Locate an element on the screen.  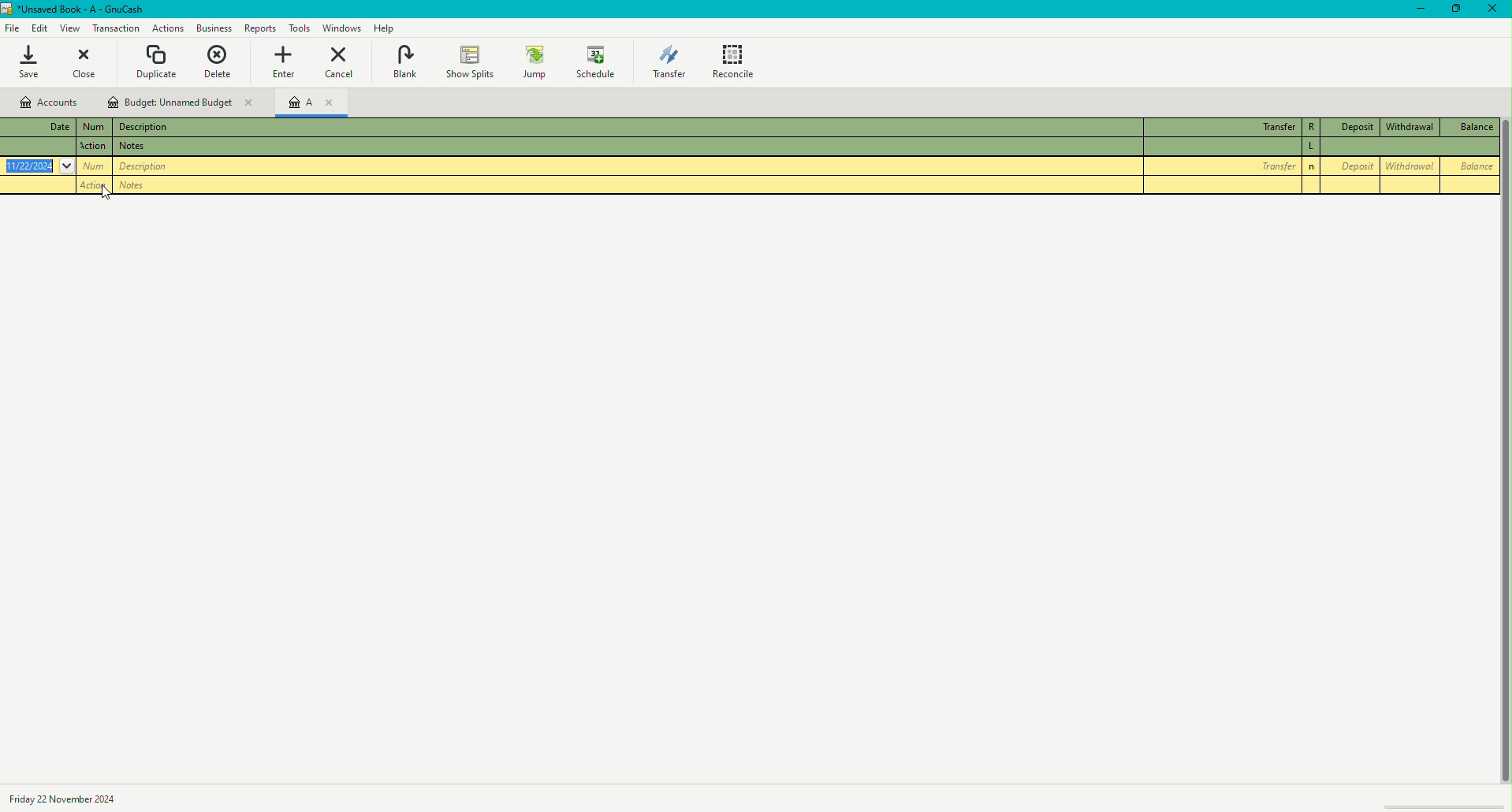
Balance is located at coordinates (1472, 127).